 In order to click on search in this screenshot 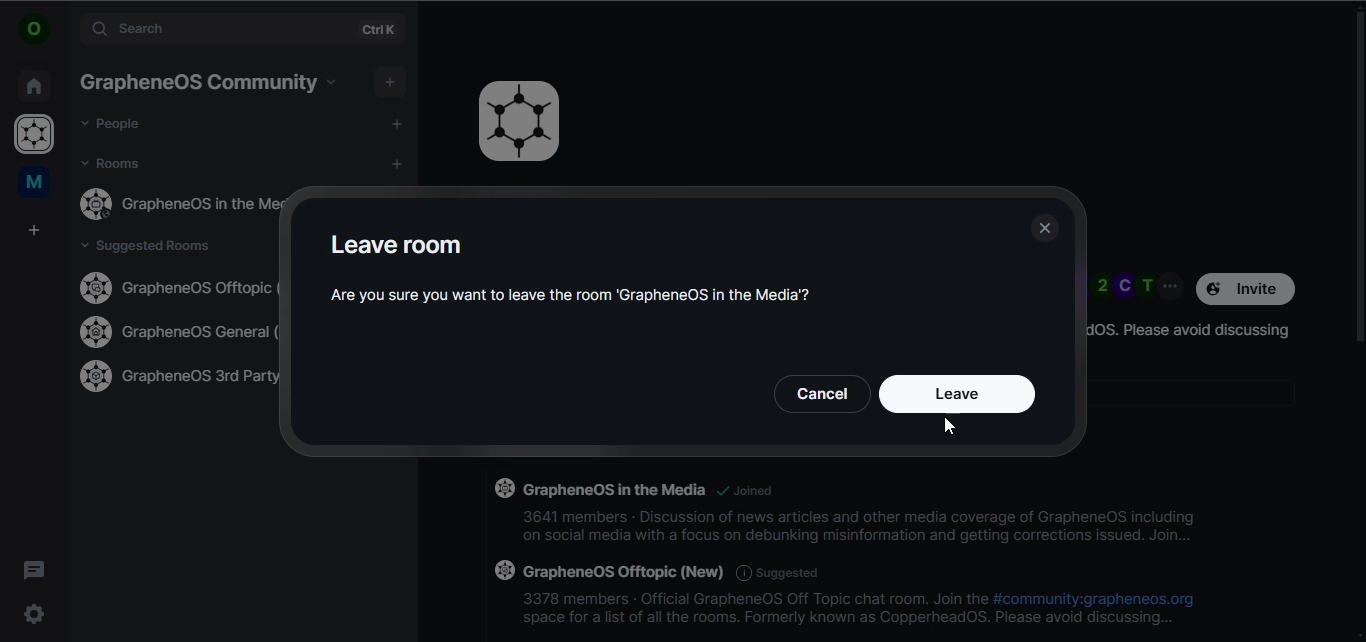, I will do `click(217, 29)`.